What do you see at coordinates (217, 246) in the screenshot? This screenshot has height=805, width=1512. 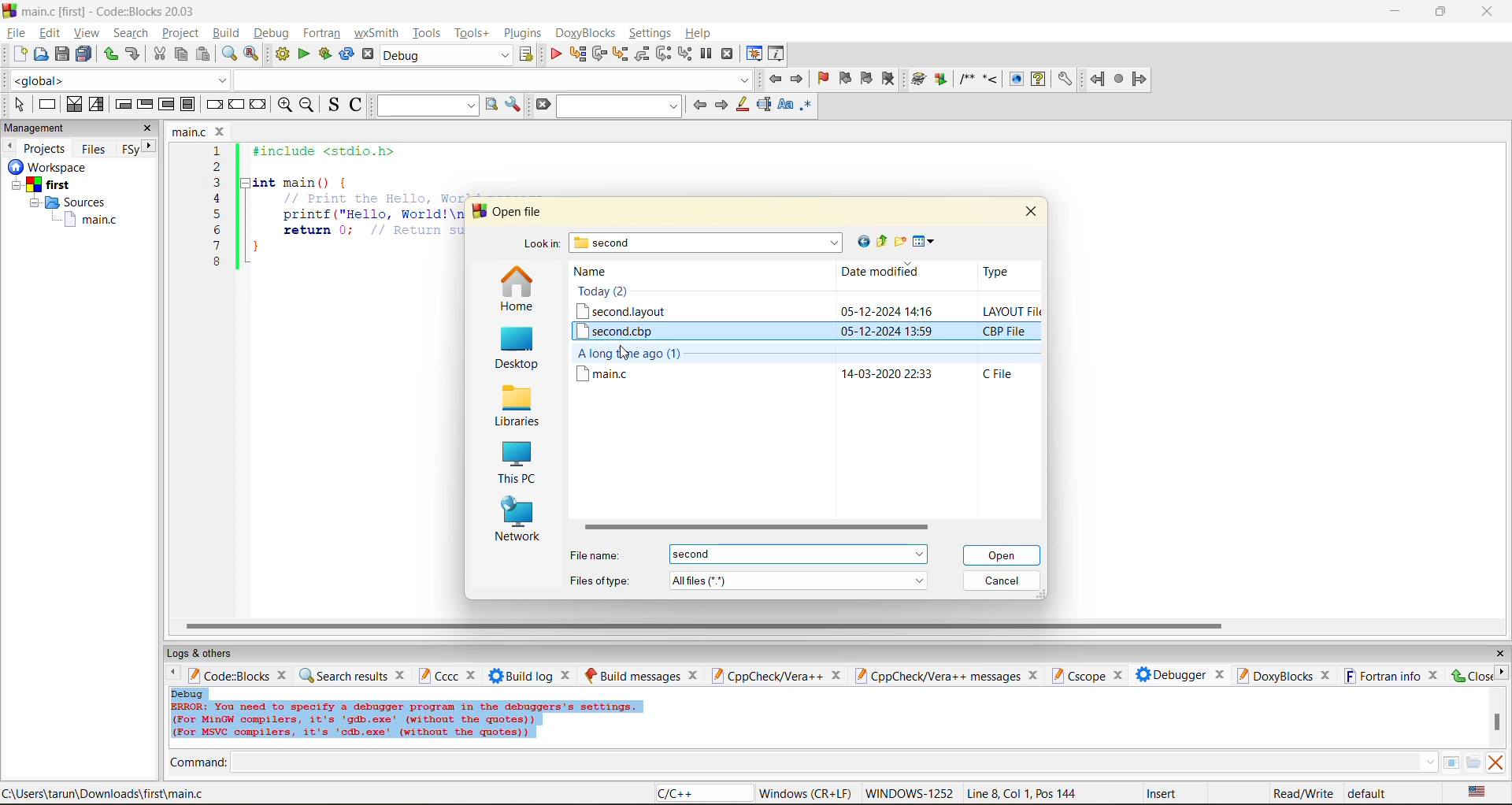 I see `7` at bounding box center [217, 246].